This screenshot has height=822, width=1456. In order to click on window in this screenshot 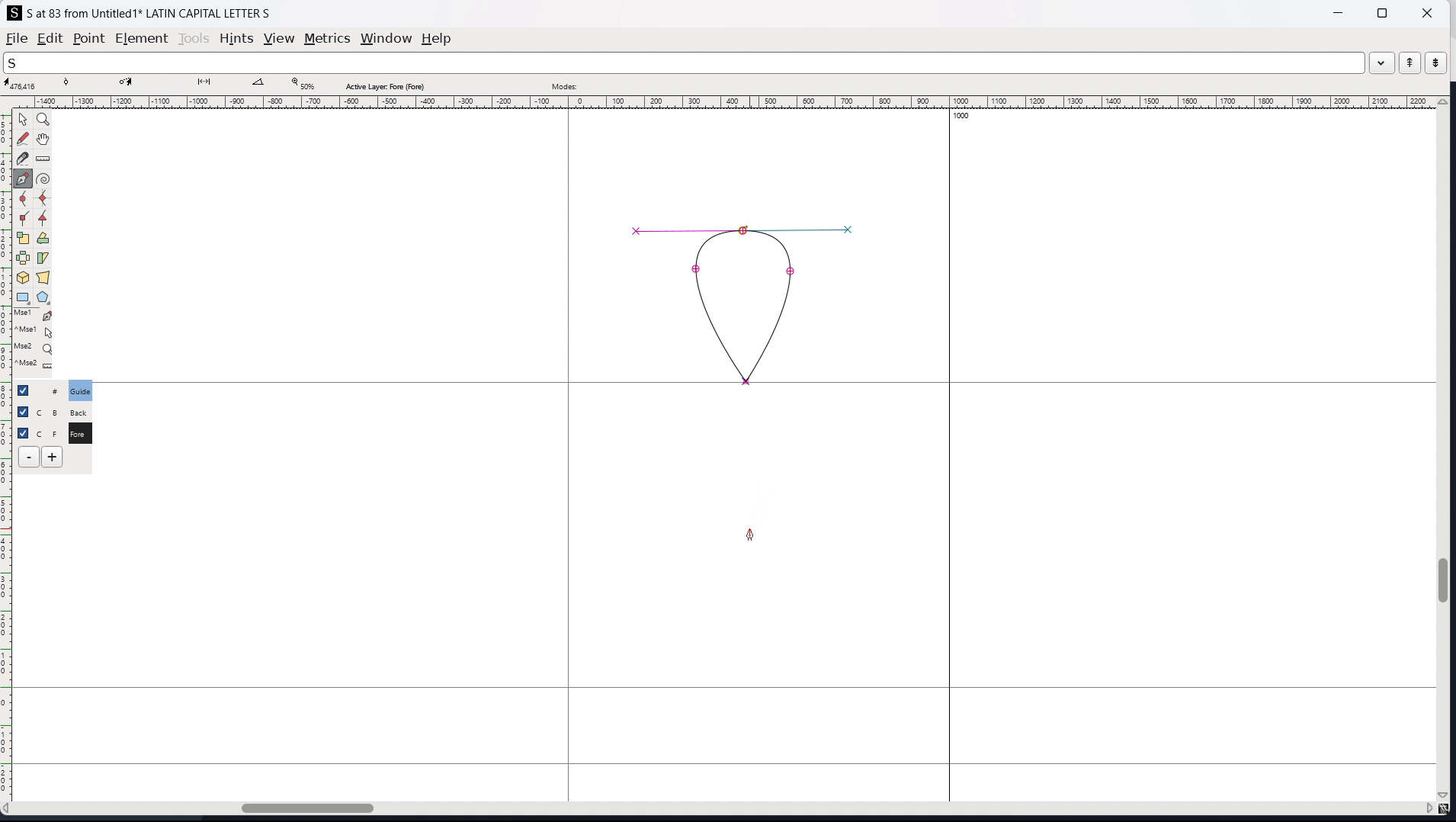, I will do `click(386, 39)`.